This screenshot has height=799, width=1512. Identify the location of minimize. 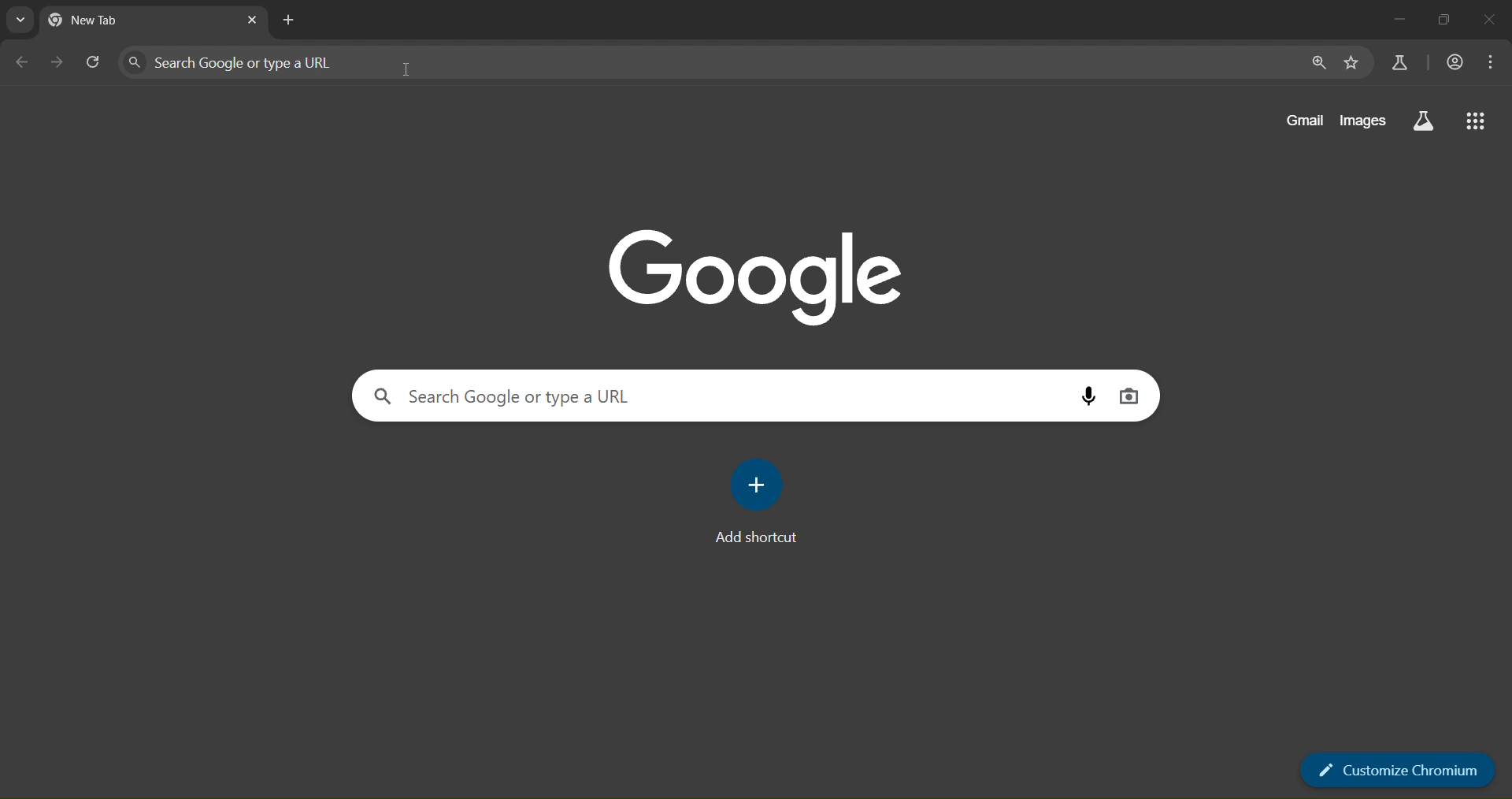
(1397, 17).